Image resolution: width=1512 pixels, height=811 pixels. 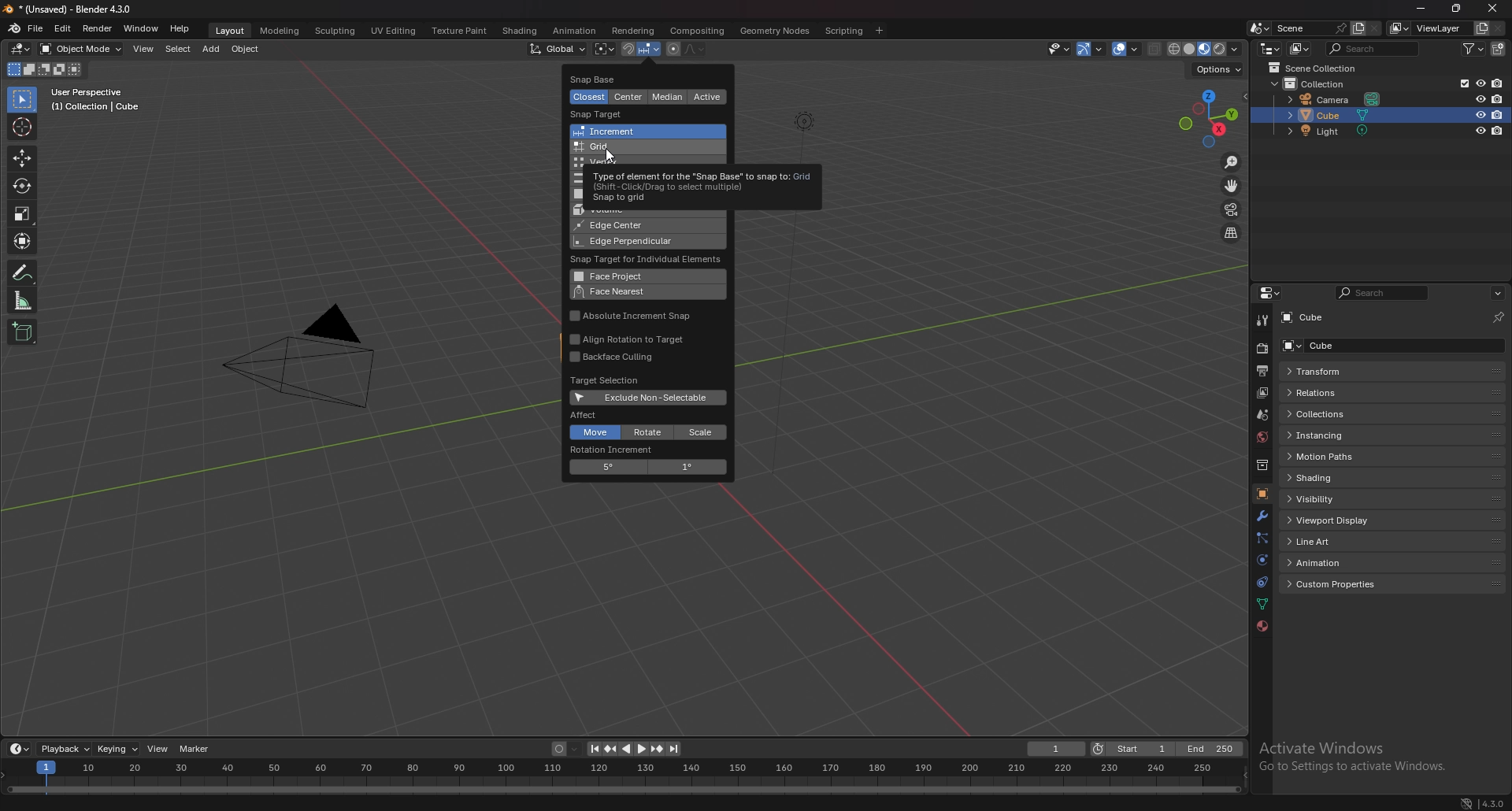 What do you see at coordinates (627, 226) in the screenshot?
I see `edge center` at bounding box center [627, 226].